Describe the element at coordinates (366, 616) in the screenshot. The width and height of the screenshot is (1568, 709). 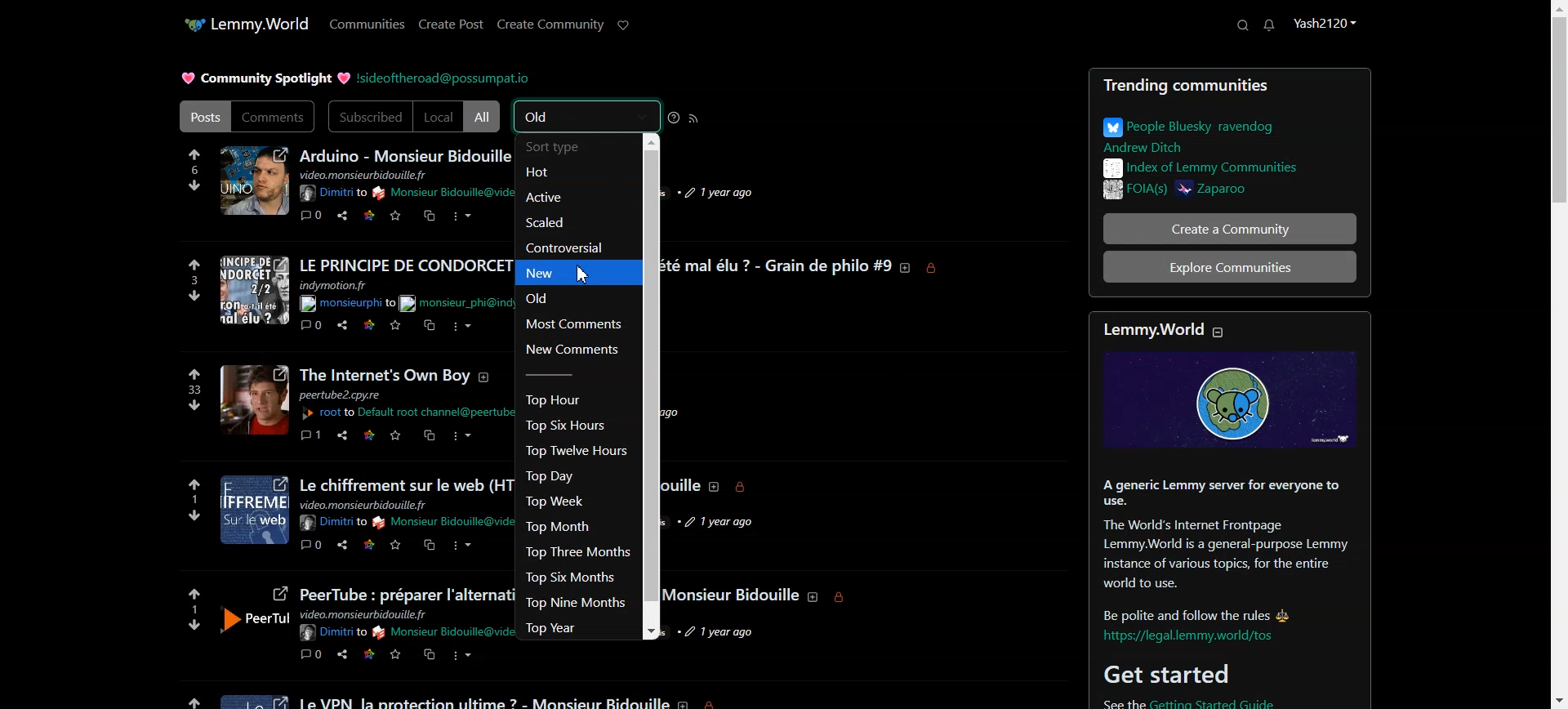
I see `` at that location.